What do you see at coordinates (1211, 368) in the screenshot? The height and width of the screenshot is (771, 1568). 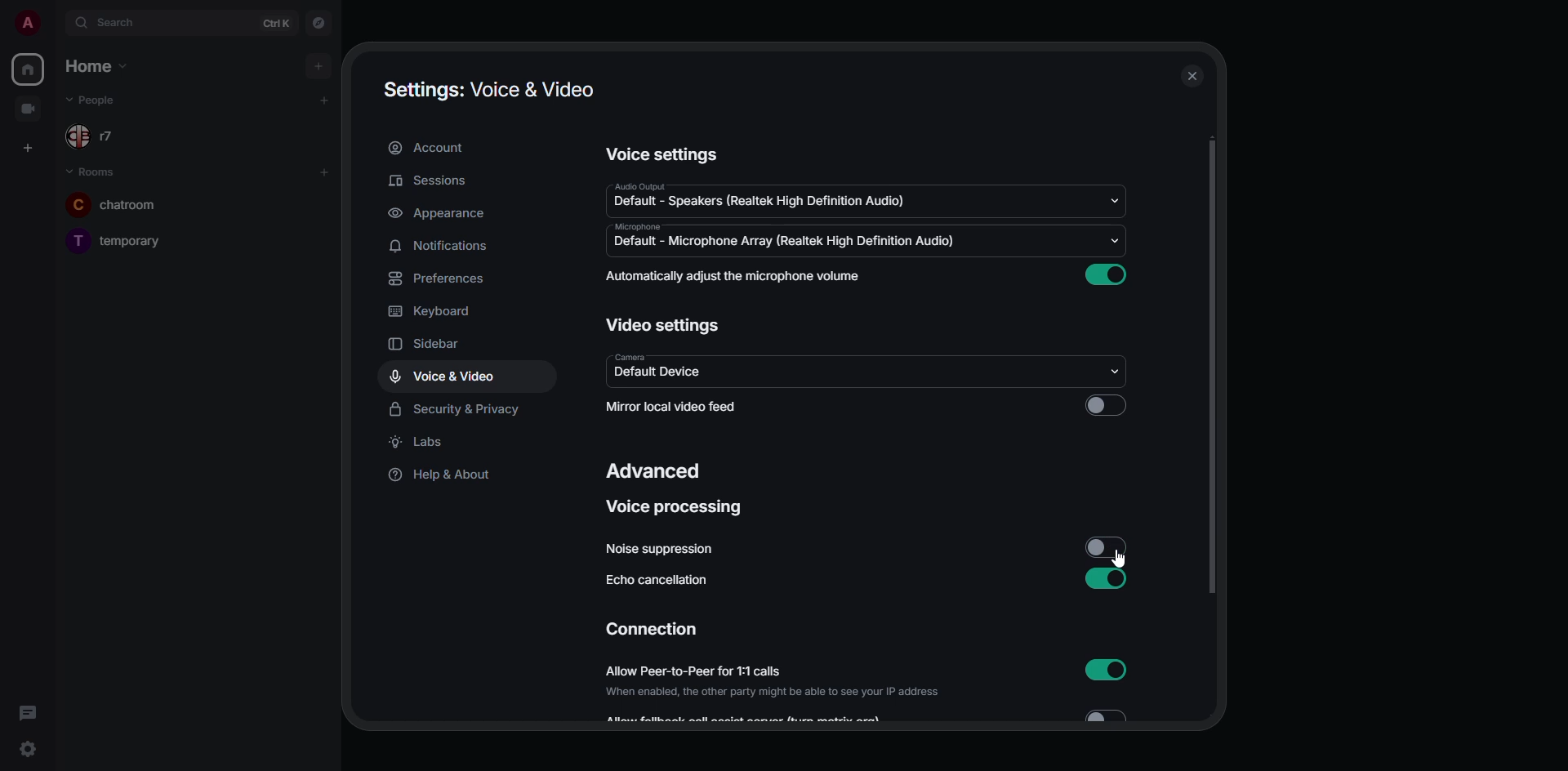 I see `scroll bar` at bounding box center [1211, 368].